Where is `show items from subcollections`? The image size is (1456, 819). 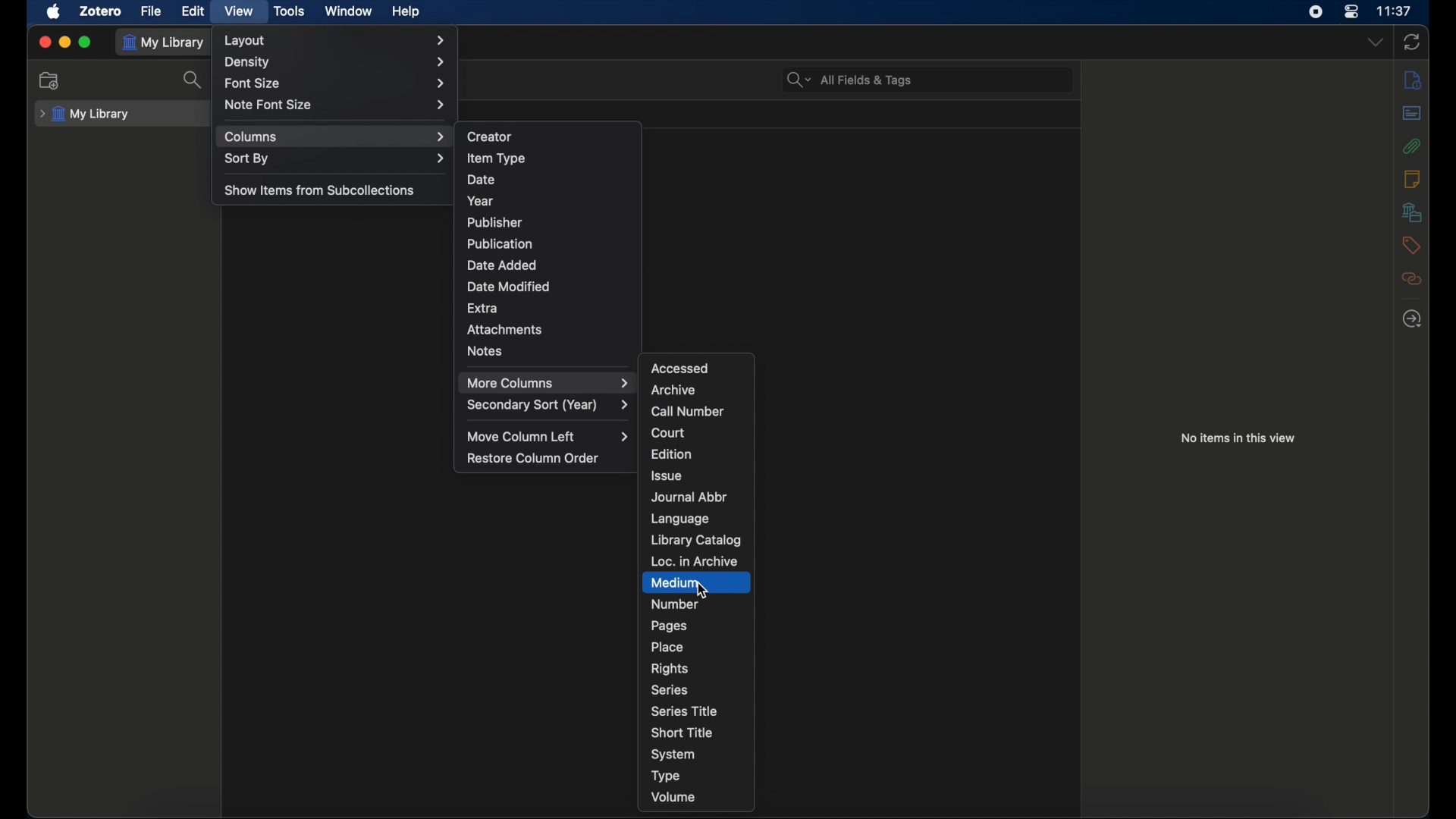 show items from subcollections is located at coordinates (322, 190).